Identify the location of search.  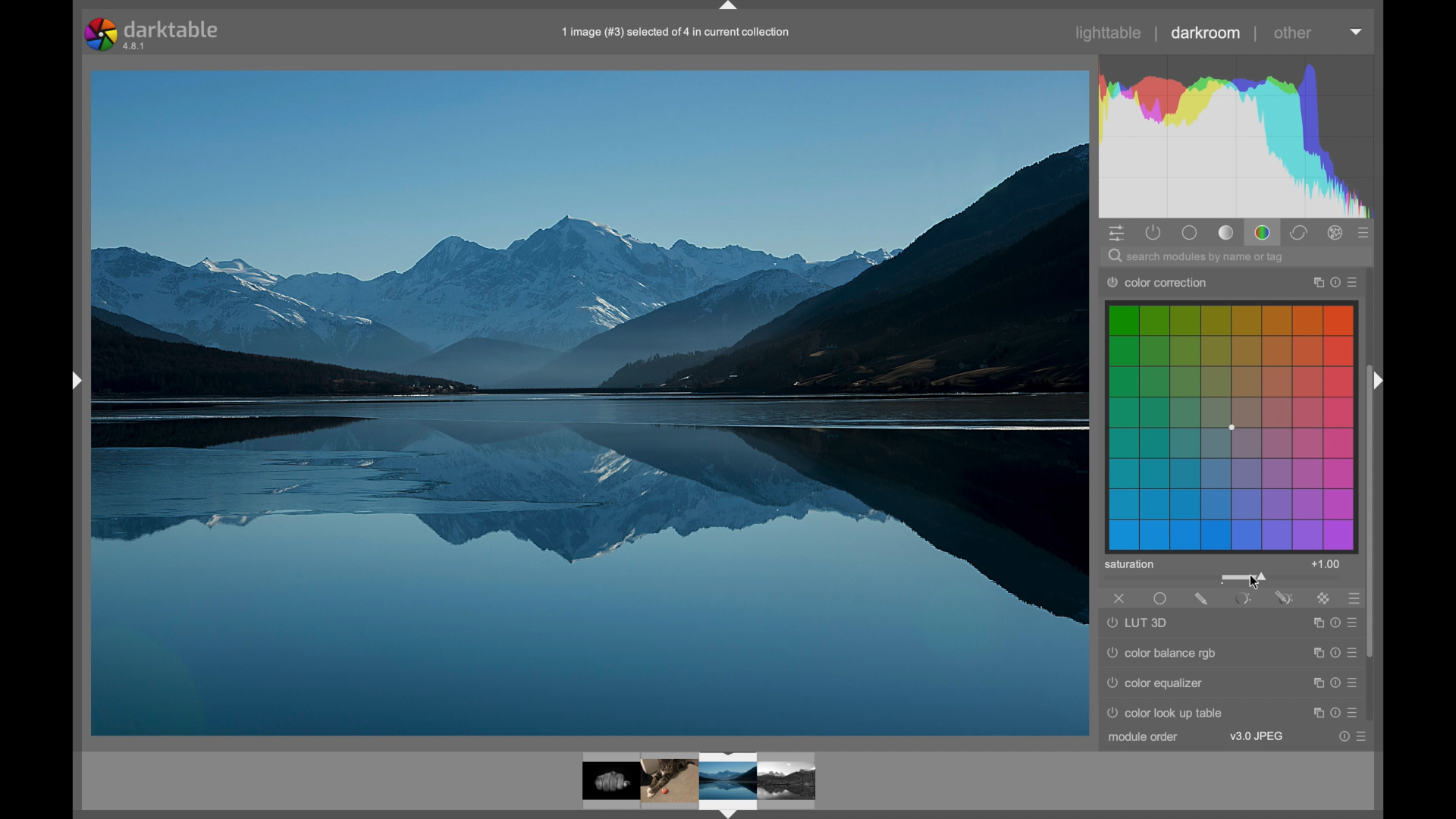
(1198, 257).